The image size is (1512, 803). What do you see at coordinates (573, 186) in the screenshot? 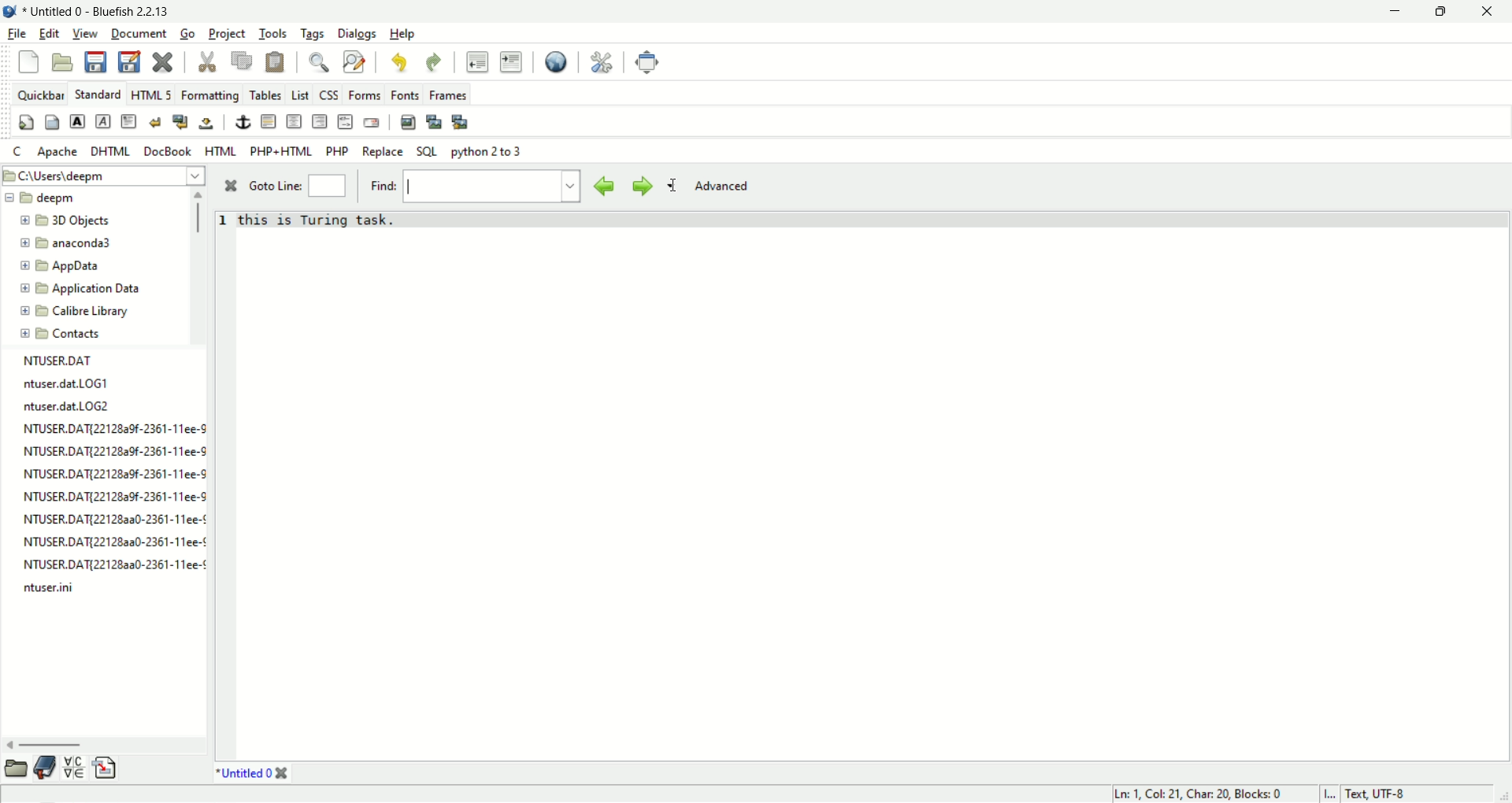
I see `find history` at bounding box center [573, 186].